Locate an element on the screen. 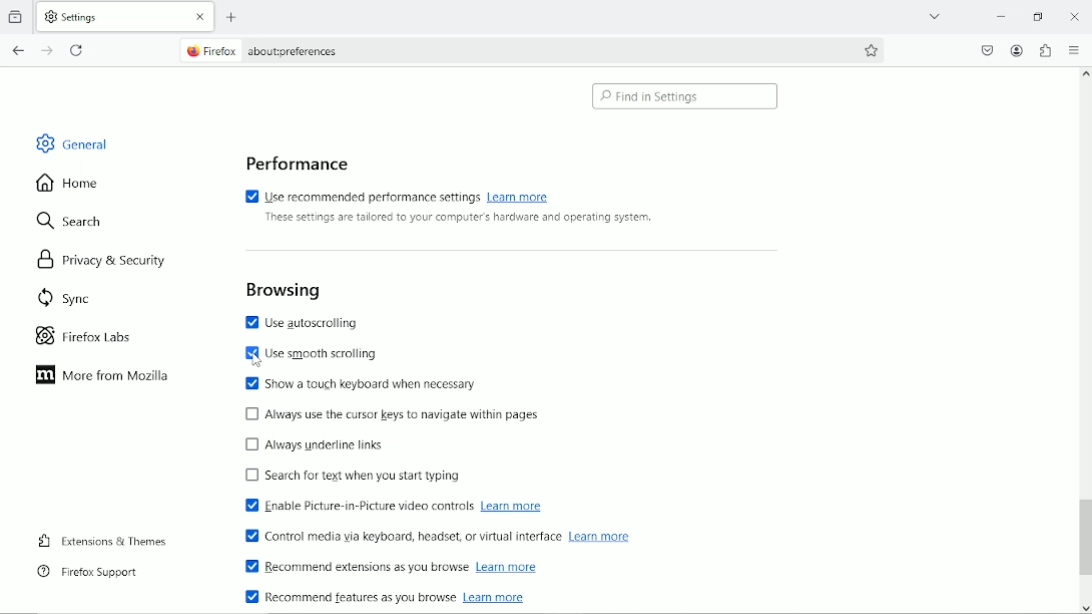 The width and height of the screenshot is (1092, 614). Learn more is located at coordinates (513, 506).